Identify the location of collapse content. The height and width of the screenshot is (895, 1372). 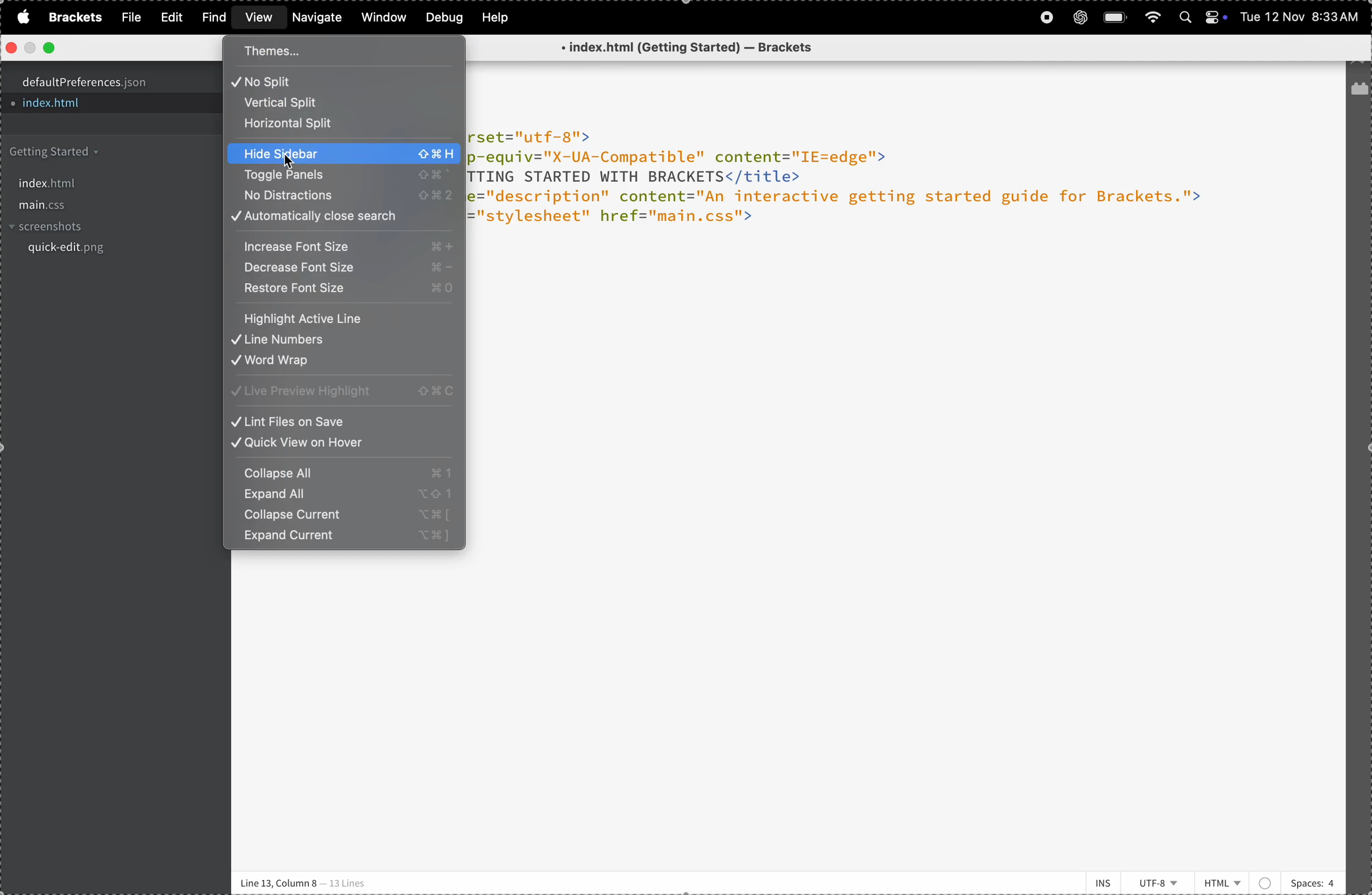
(344, 517).